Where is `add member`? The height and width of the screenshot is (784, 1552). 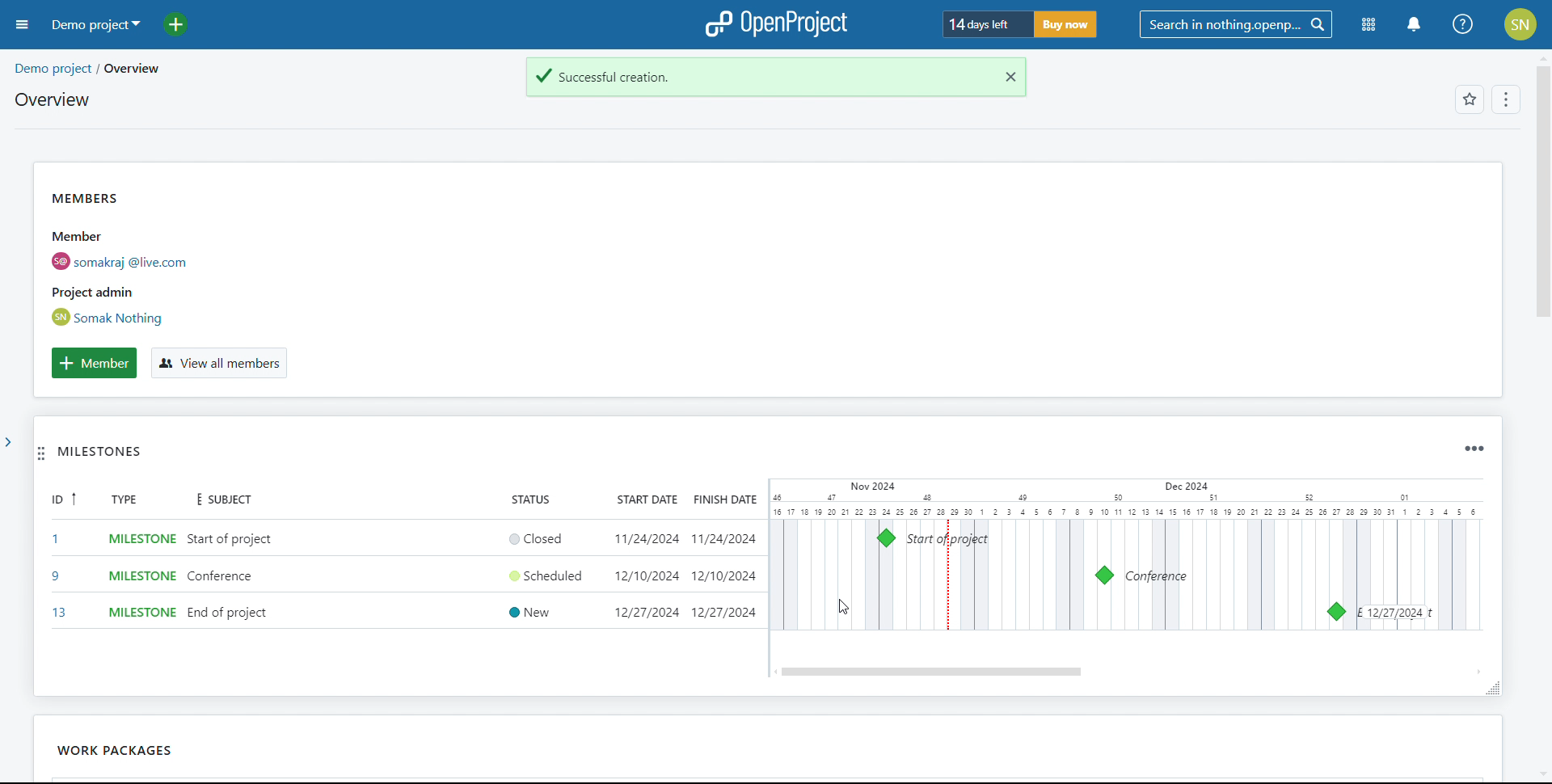 add member is located at coordinates (94, 363).